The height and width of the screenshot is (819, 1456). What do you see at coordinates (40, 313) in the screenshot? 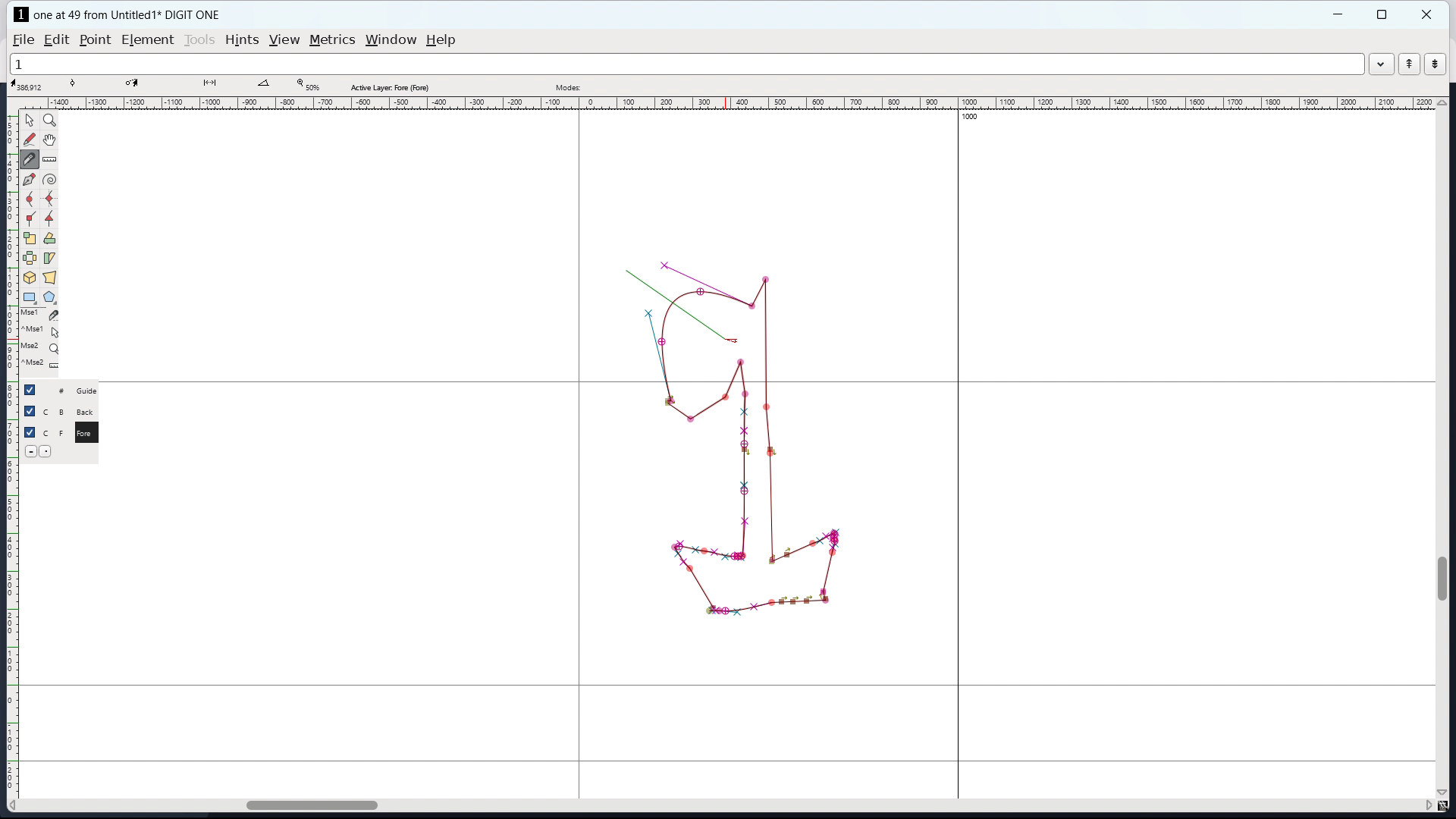
I see `mse1` at bounding box center [40, 313].